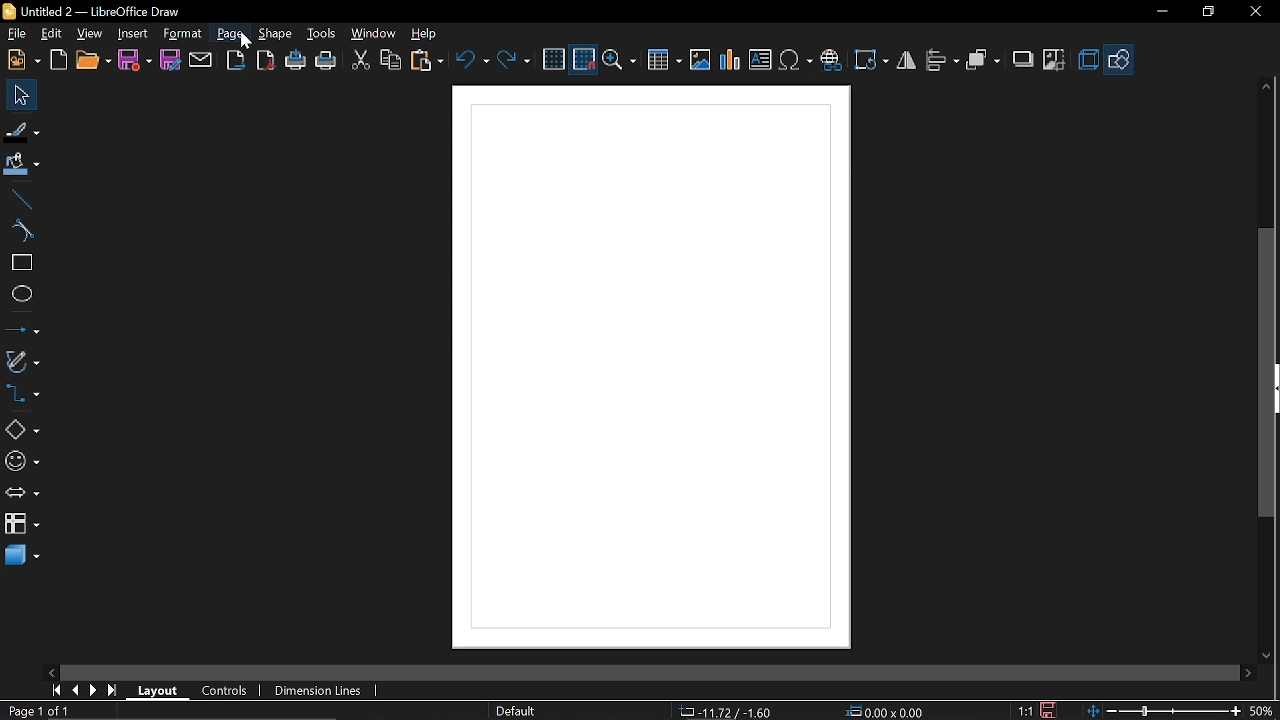 Image resolution: width=1280 pixels, height=720 pixels. Describe the element at coordinates (77, 691) in the screenshot. I see `Previous` at that location.